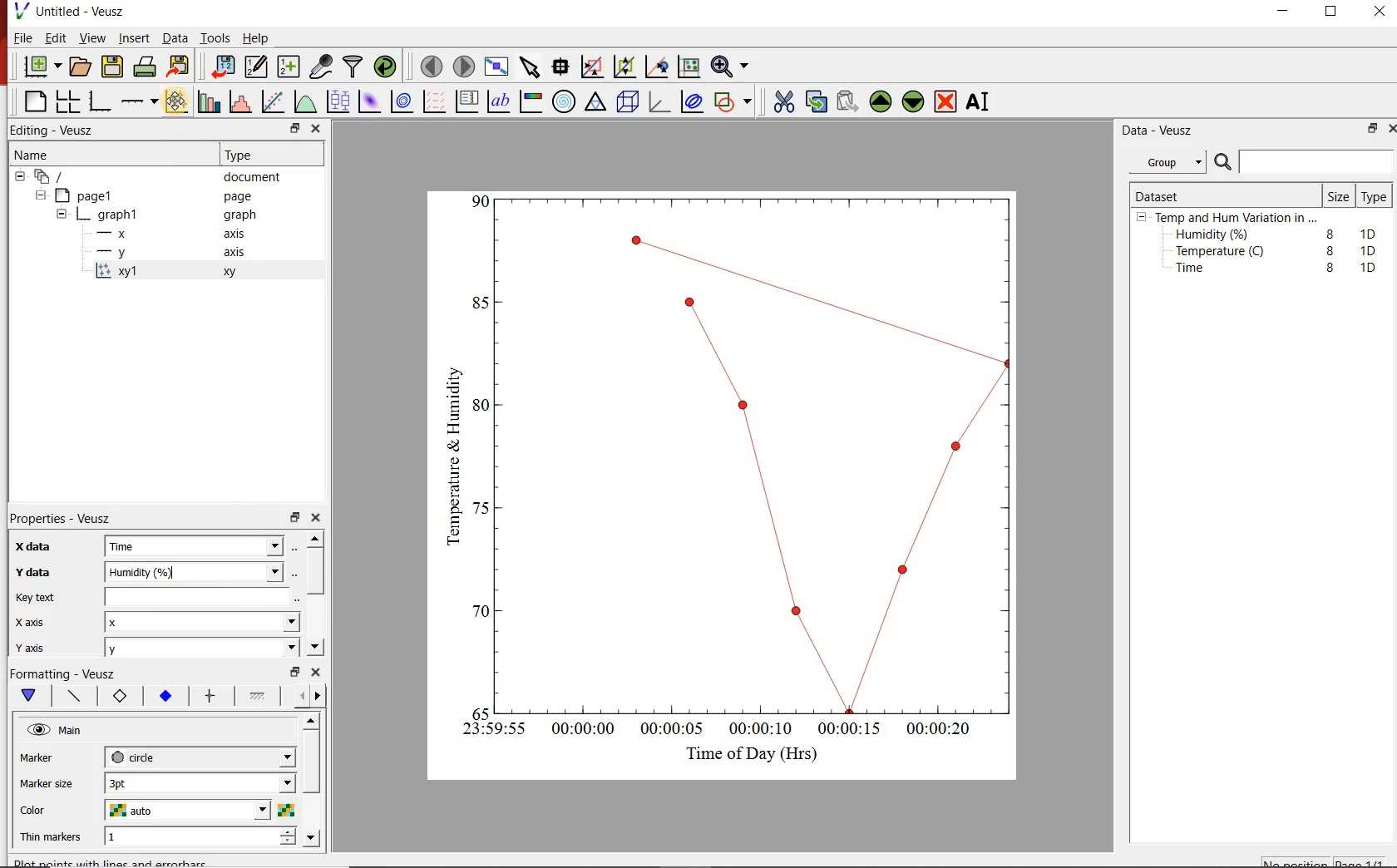  Describe the element at coordinates (1330, 268) in the screenshot. I see `8` at that location.